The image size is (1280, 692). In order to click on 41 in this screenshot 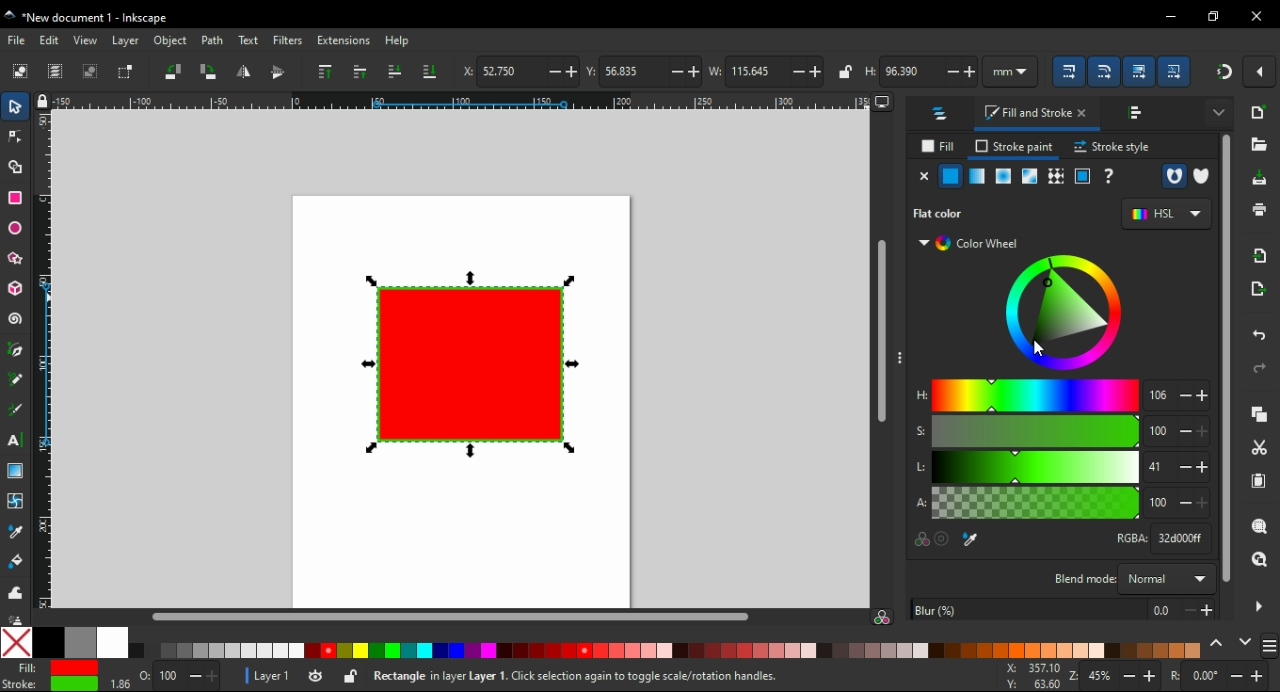, I will do `click(1159, 467)`.